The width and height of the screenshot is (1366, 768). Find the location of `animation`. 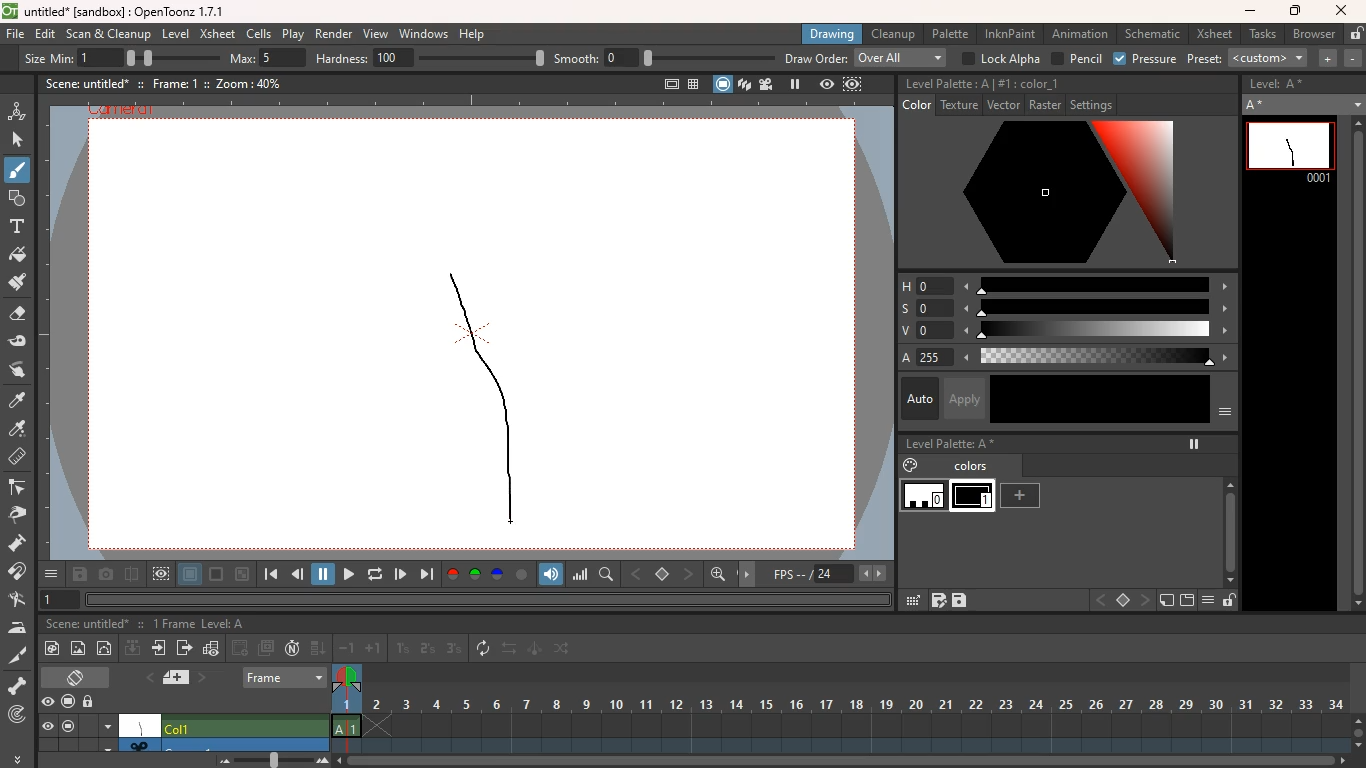

animation is located at coordinates (1080, 34).